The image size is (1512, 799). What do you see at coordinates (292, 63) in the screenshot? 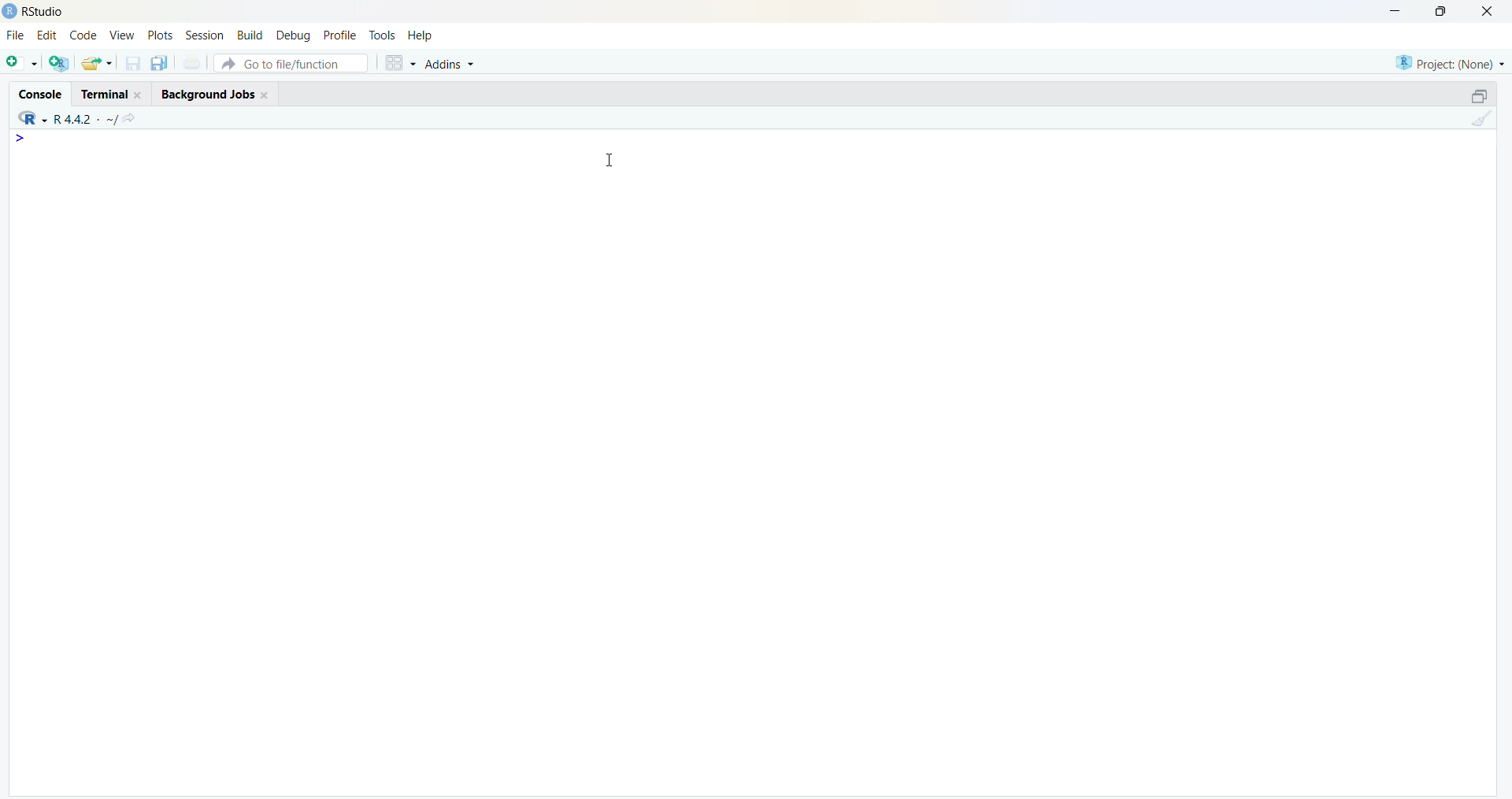
I see `go to file/function` at bounding box center [292, 63].